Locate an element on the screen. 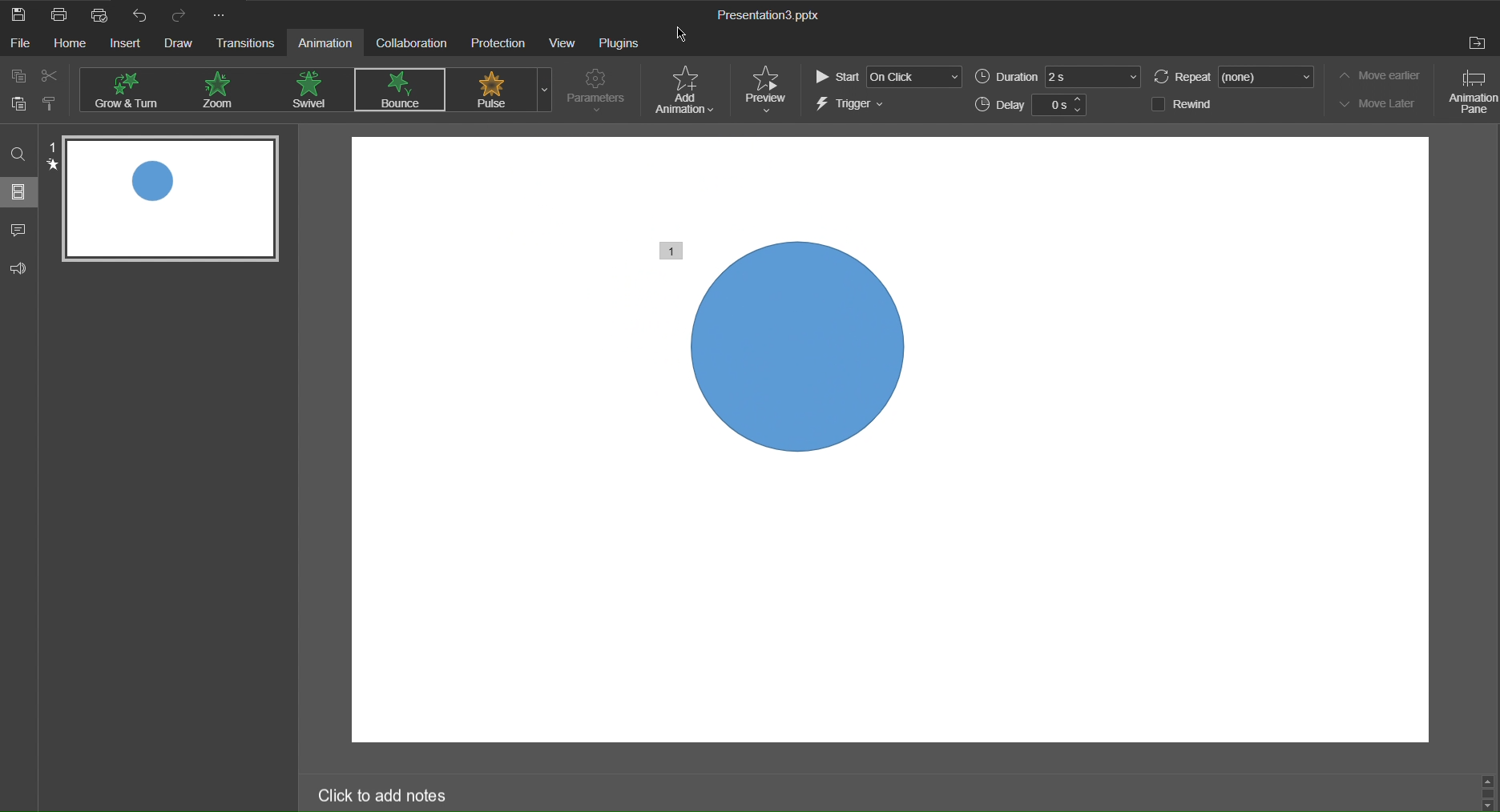 This screenshot has width=1500, height=812. View is located at coordinates (563, 44).